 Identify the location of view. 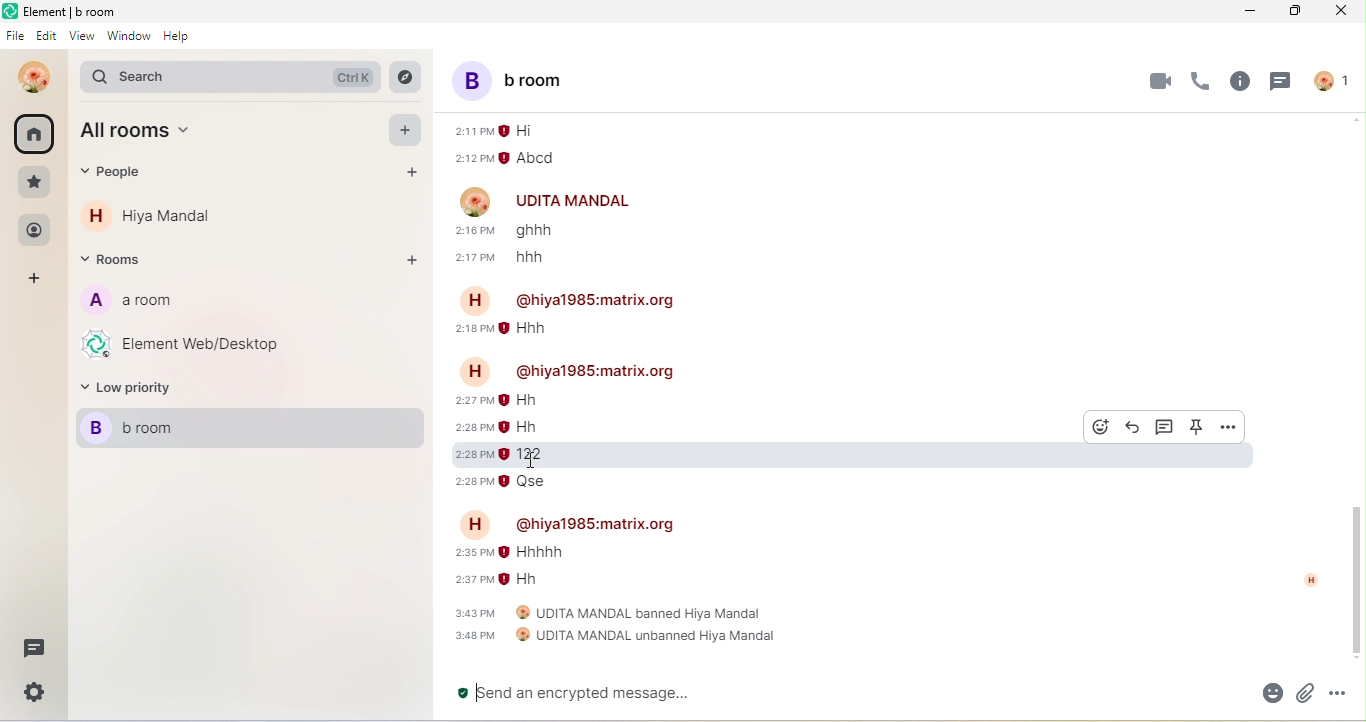
(81, 39).